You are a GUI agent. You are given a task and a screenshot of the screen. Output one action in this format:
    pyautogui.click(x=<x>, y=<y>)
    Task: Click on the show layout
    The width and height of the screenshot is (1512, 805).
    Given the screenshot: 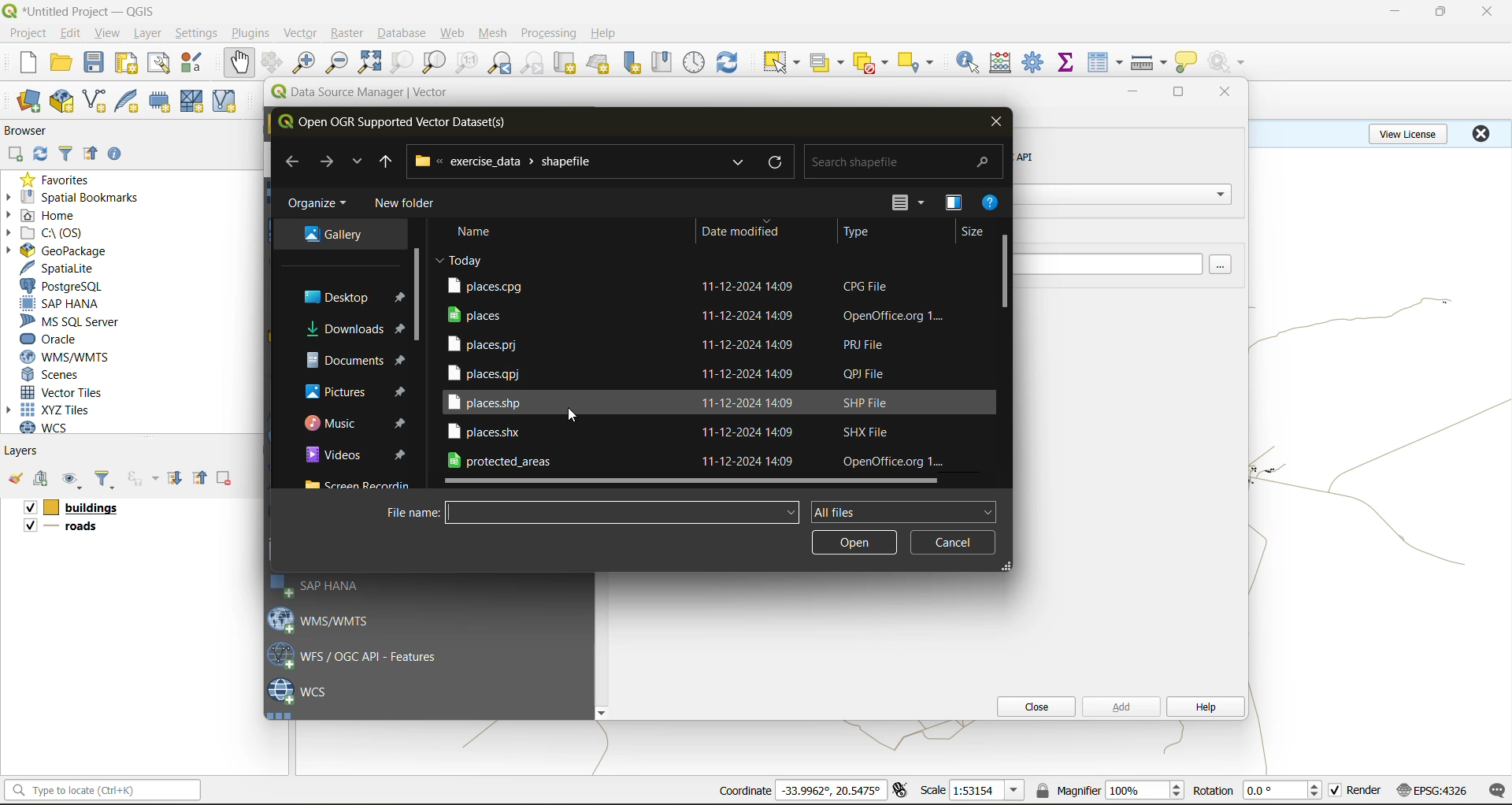 What is the action you would take?
    pyautogui.click(x=159, y=63)
    